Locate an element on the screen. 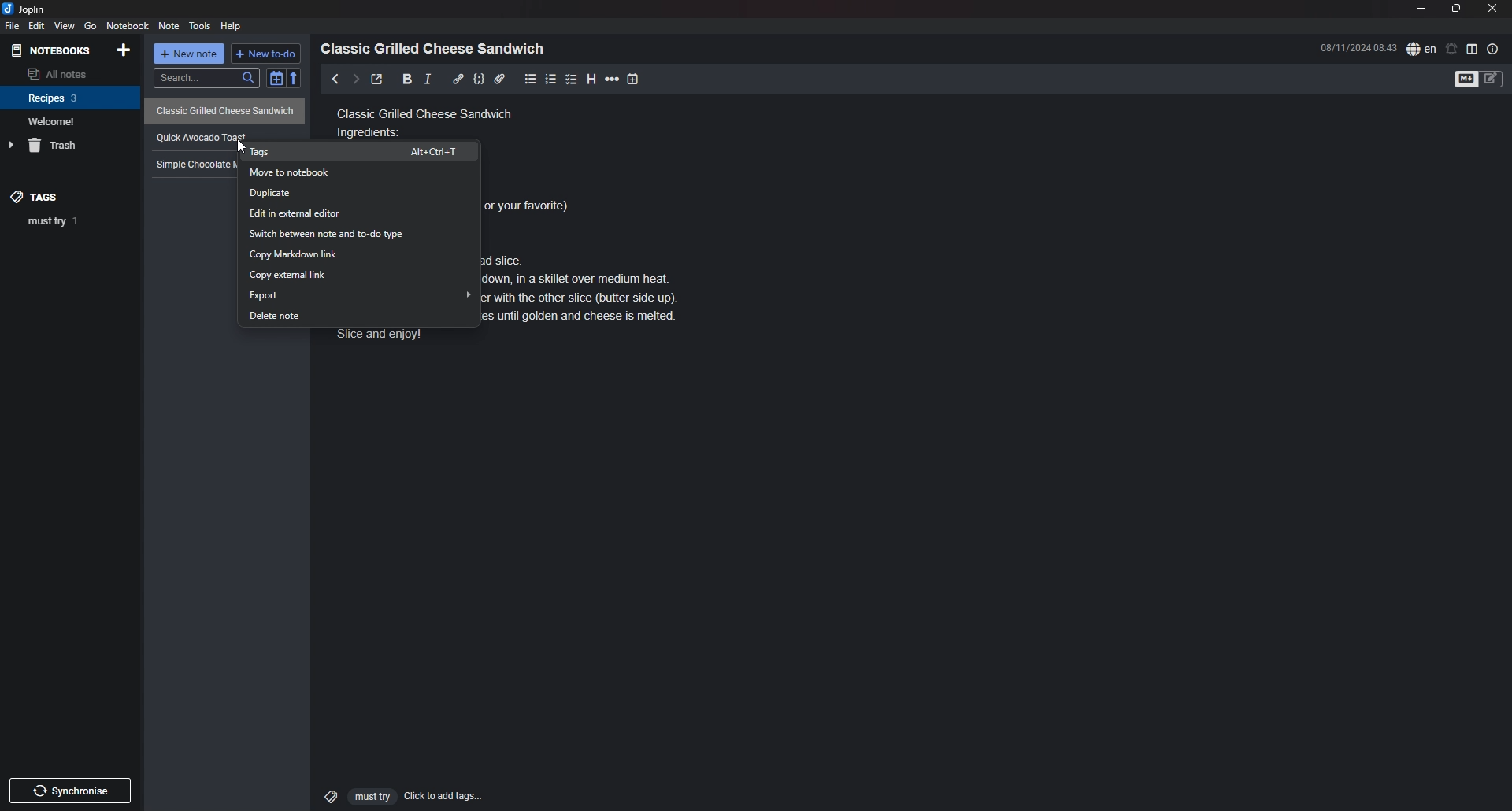 This screenshot has width=1512, height=811. Help is located at coordinates (232, 25).